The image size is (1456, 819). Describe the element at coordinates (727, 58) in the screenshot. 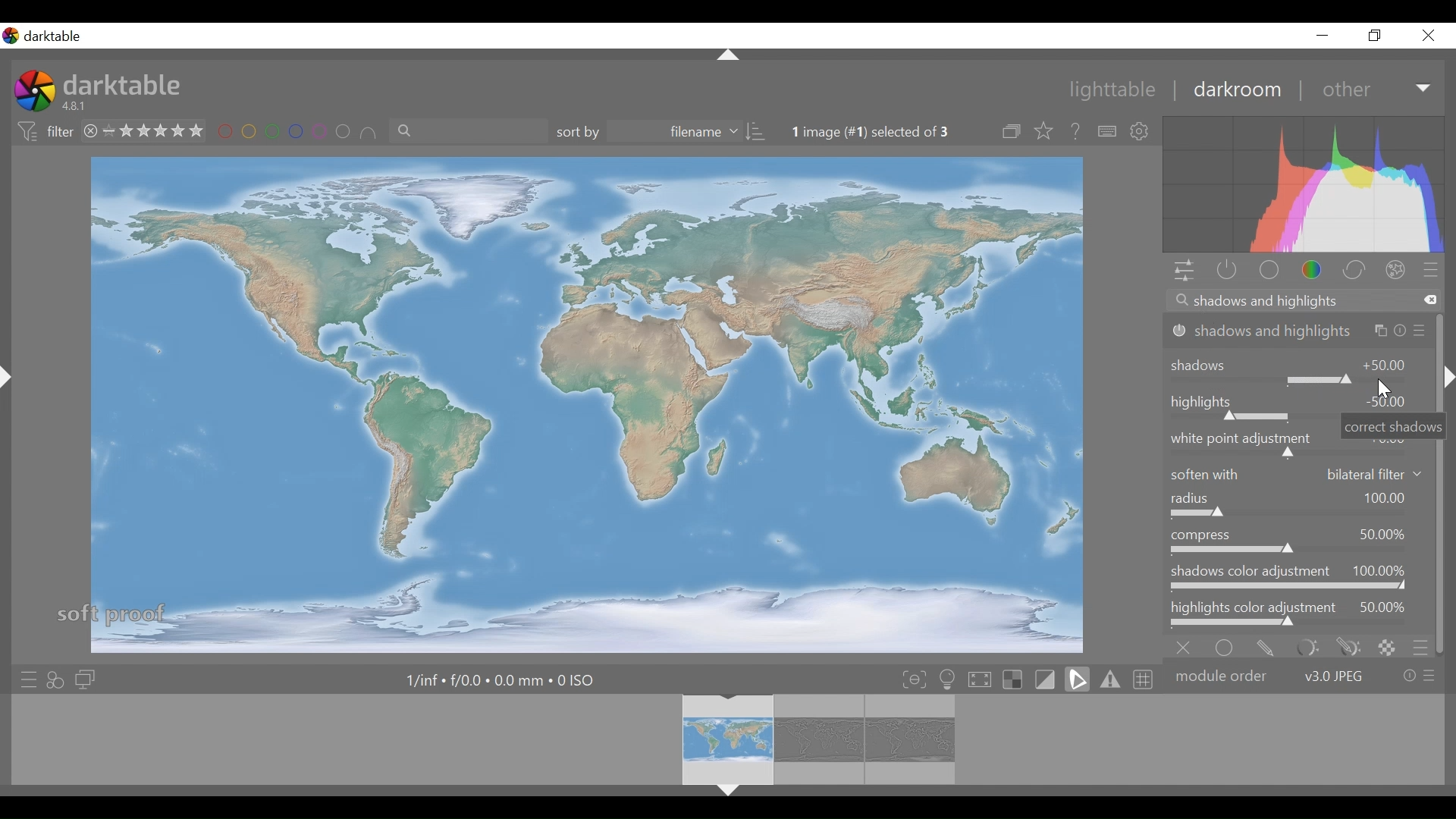

I see `` at that location.